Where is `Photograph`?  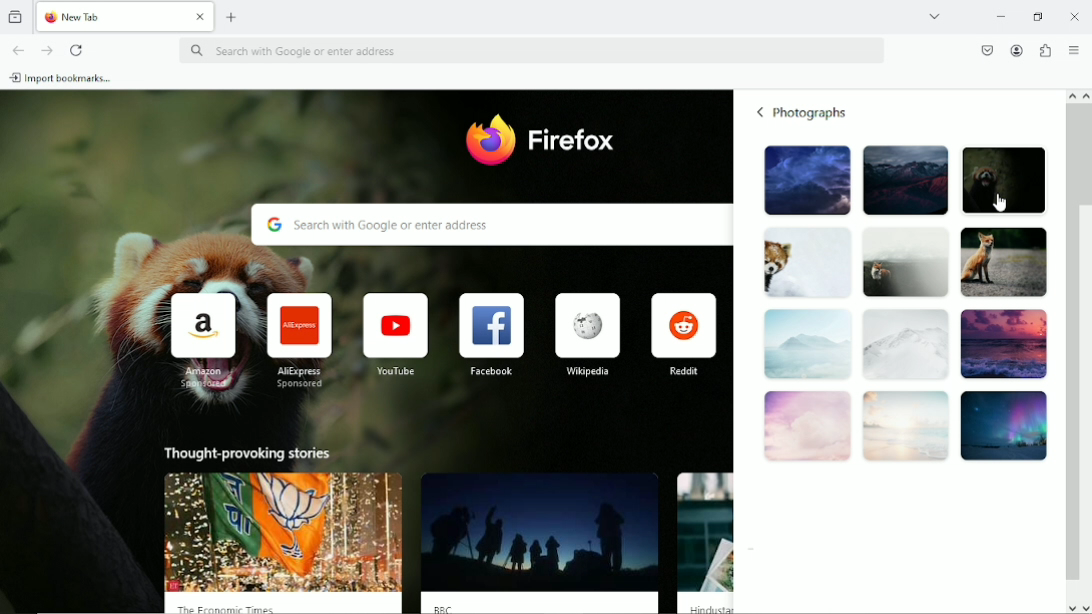
Photograph is located at coordinates (904, 346).